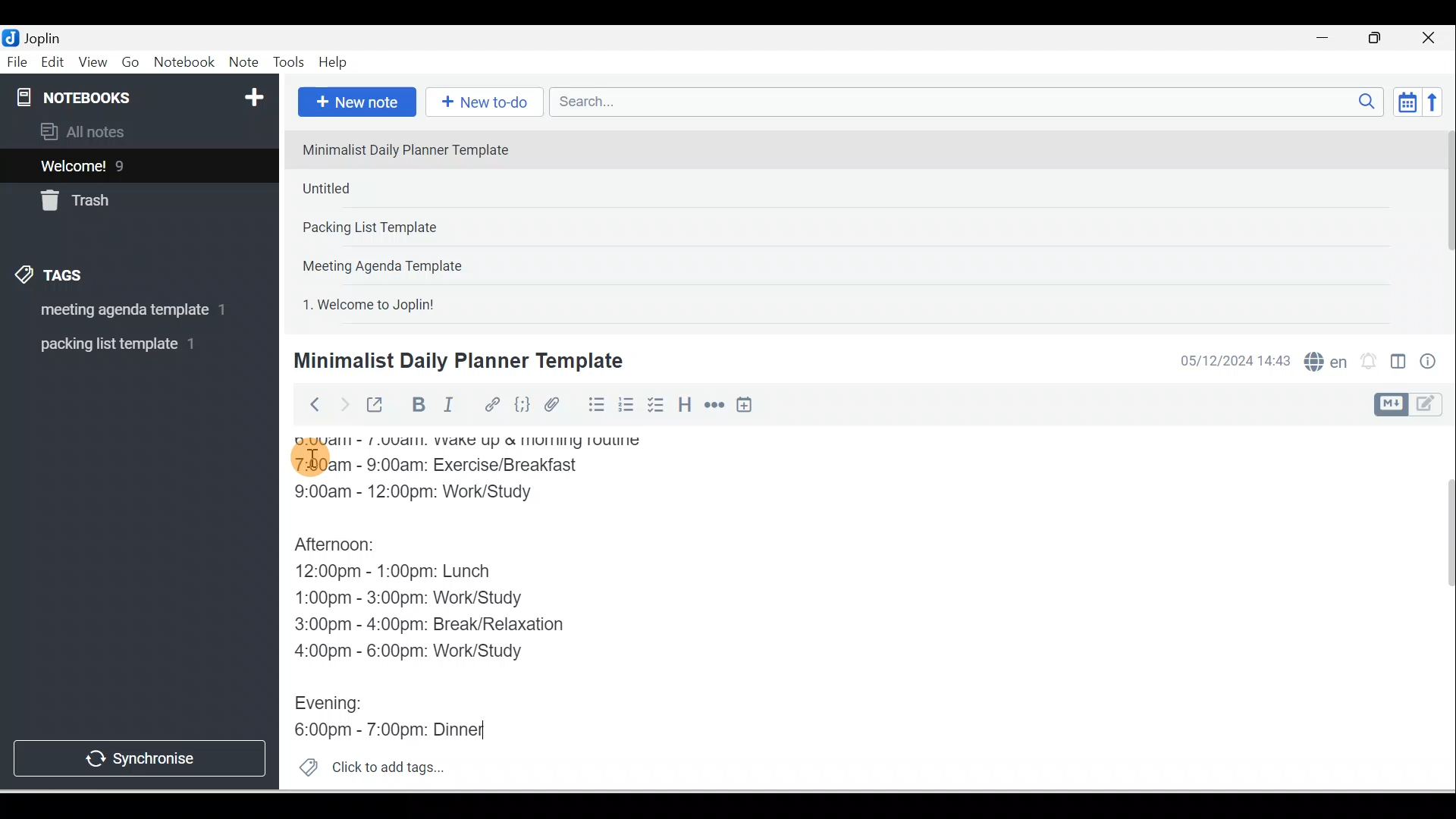 This screenshot has height=819, width=1456. I want to click on Attach file, so click(556, 404).